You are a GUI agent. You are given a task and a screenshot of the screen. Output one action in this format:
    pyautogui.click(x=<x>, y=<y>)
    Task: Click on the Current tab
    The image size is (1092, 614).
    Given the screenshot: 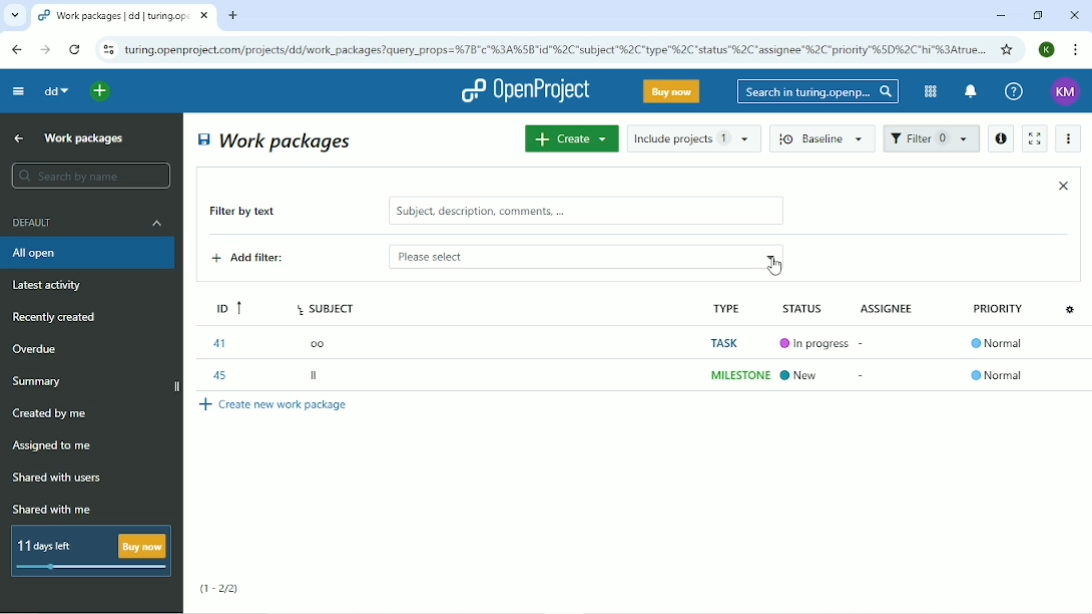 What is the action you would take?
    pyautogui.click(x=124, y=16)
    